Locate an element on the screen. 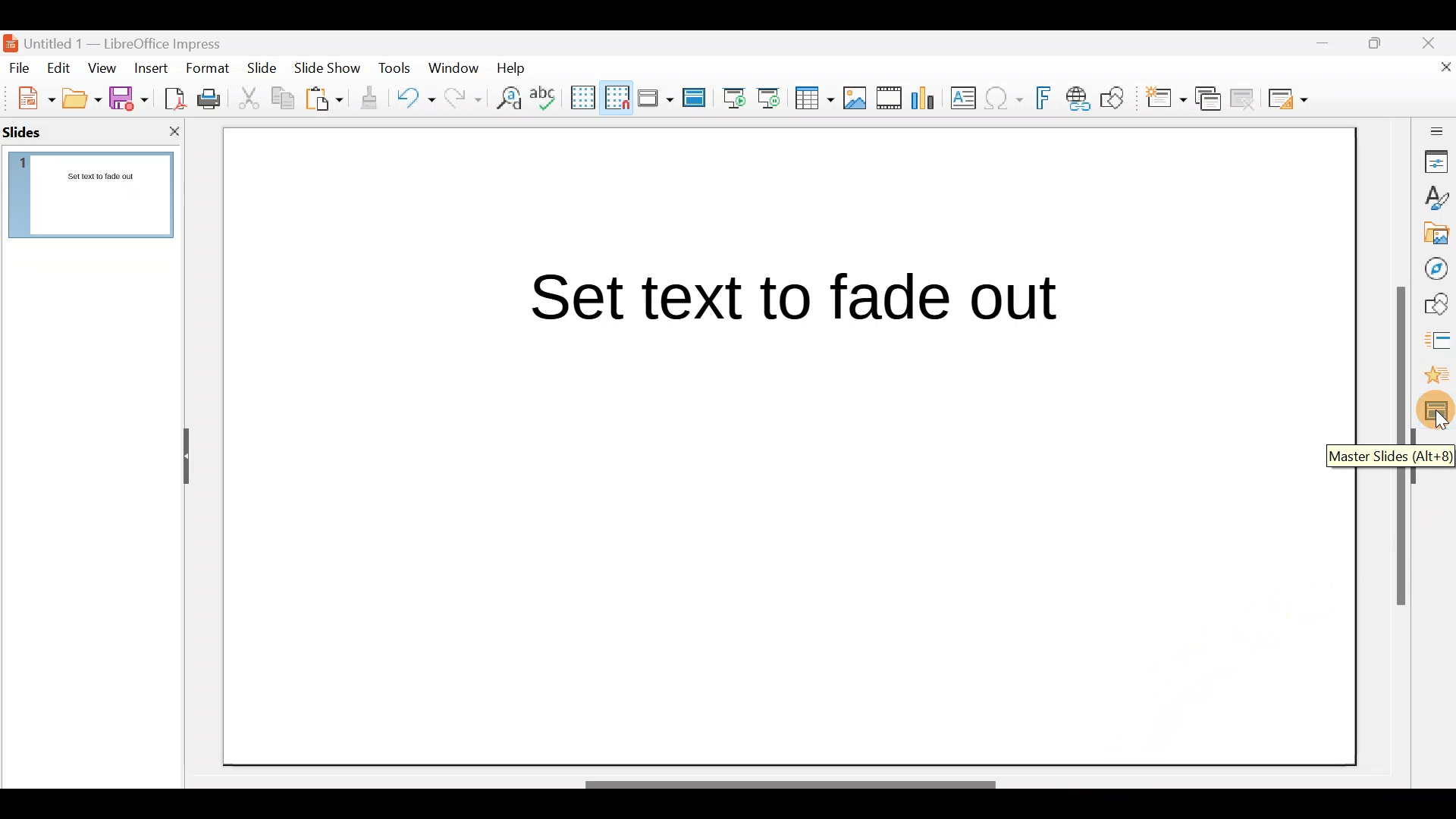  Tools is located at coordinates (396, 71).